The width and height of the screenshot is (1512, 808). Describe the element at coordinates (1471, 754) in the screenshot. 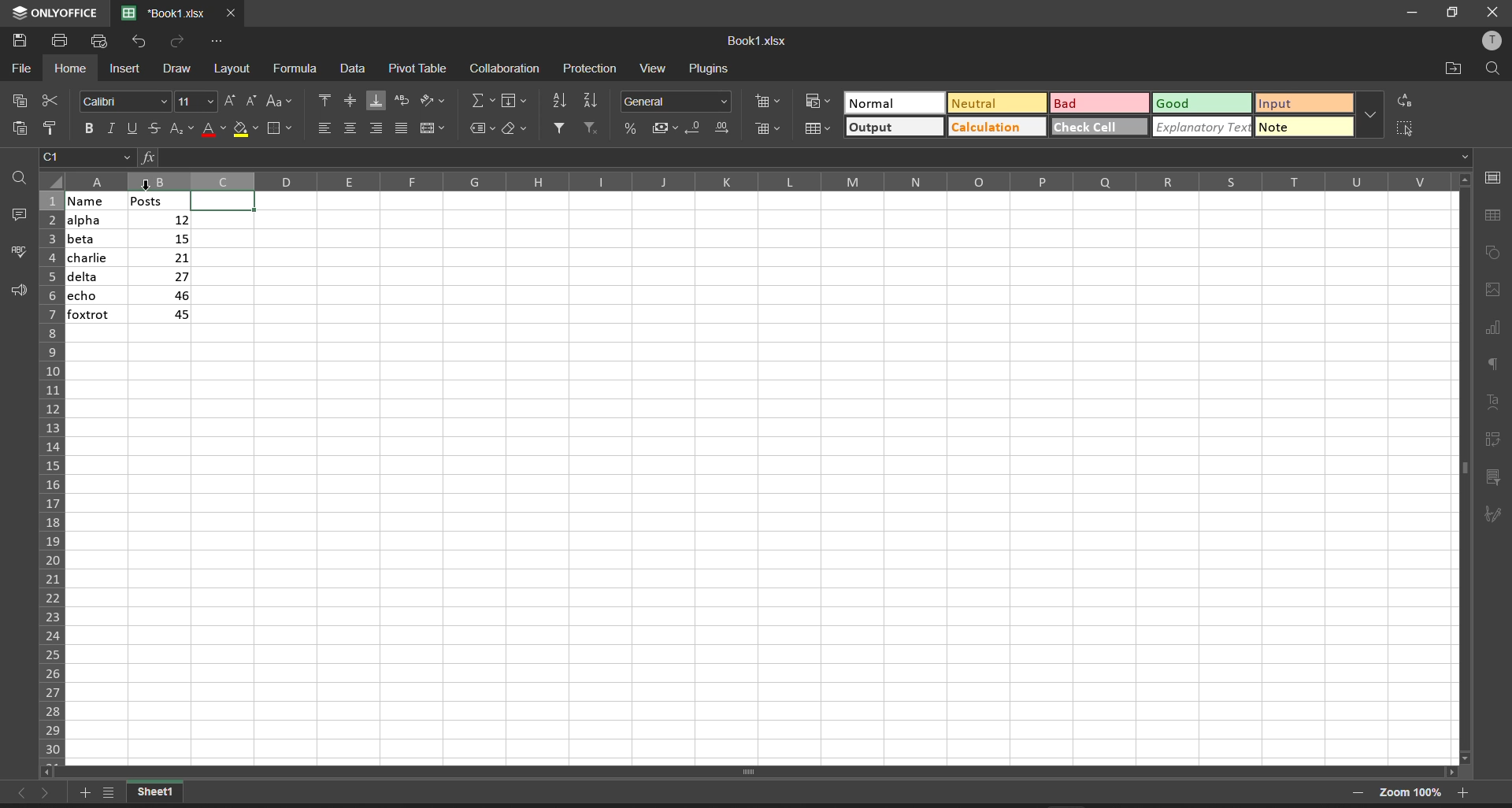

I see `scroll down` at that location.